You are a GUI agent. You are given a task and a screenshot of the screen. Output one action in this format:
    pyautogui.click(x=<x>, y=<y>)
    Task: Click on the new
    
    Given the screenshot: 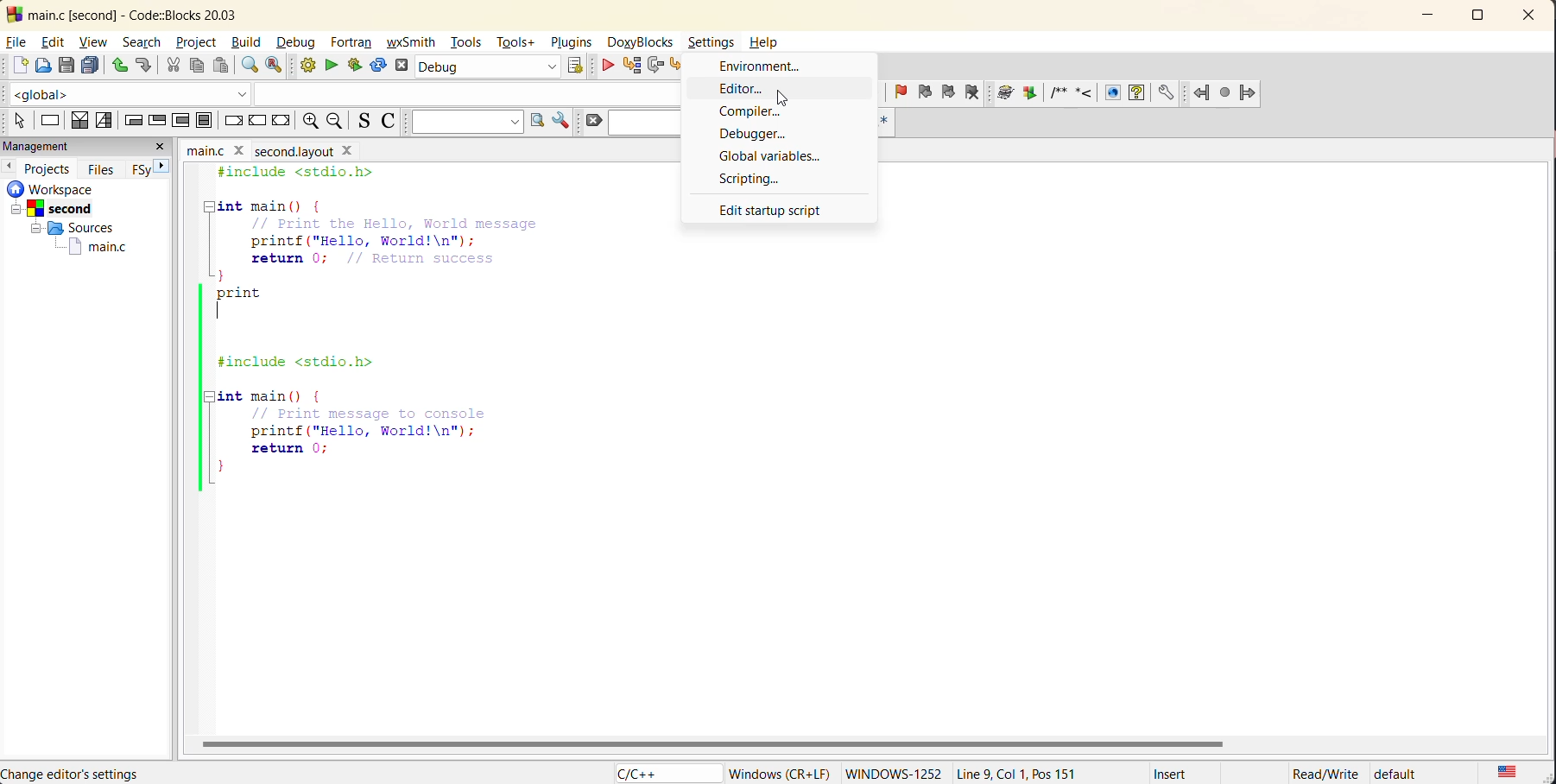 What is the action you would take?
    pyautogui.click(x=16, y=66)
    